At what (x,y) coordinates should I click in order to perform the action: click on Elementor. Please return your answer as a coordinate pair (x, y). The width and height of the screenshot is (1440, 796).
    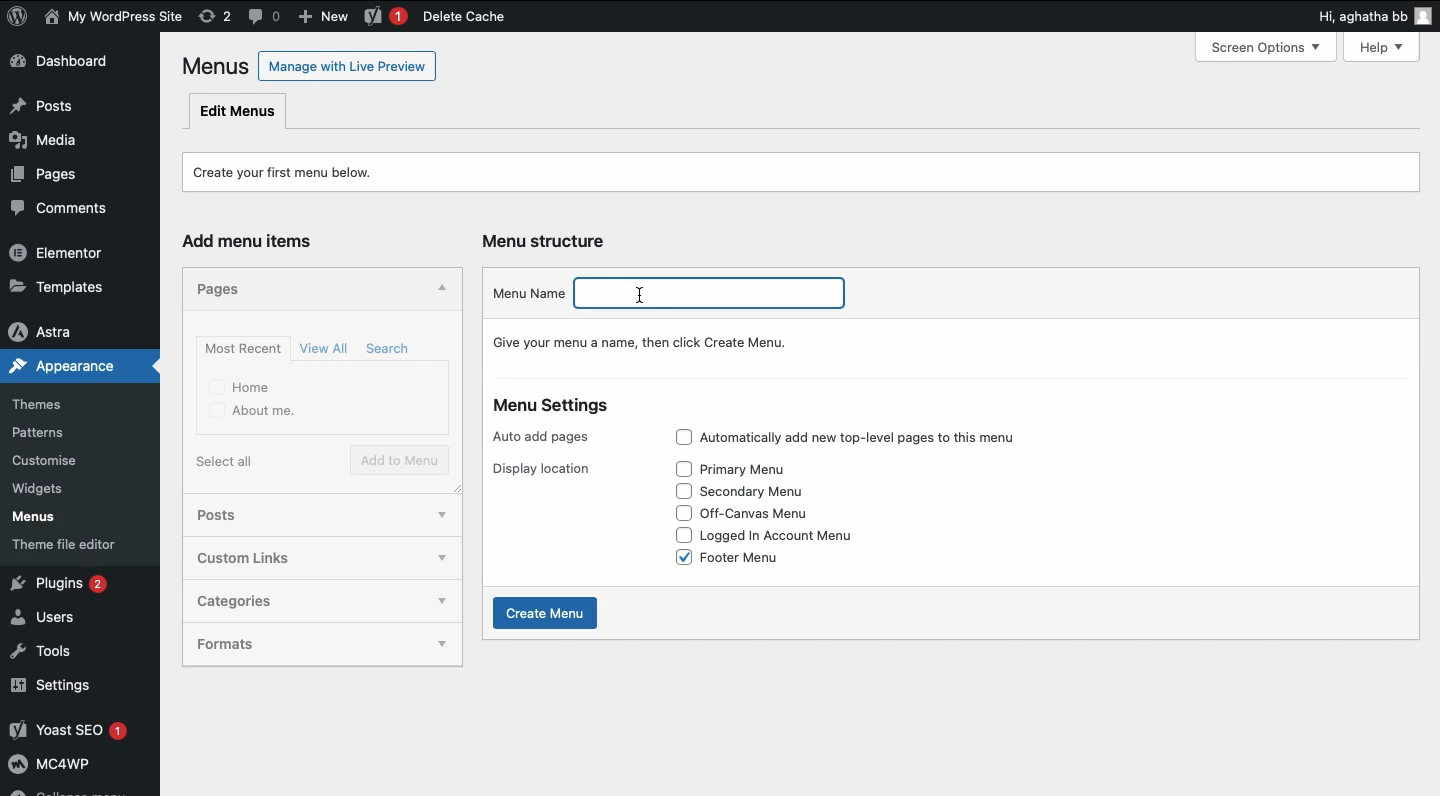
    Looking at the image, I should click on (68, 254).